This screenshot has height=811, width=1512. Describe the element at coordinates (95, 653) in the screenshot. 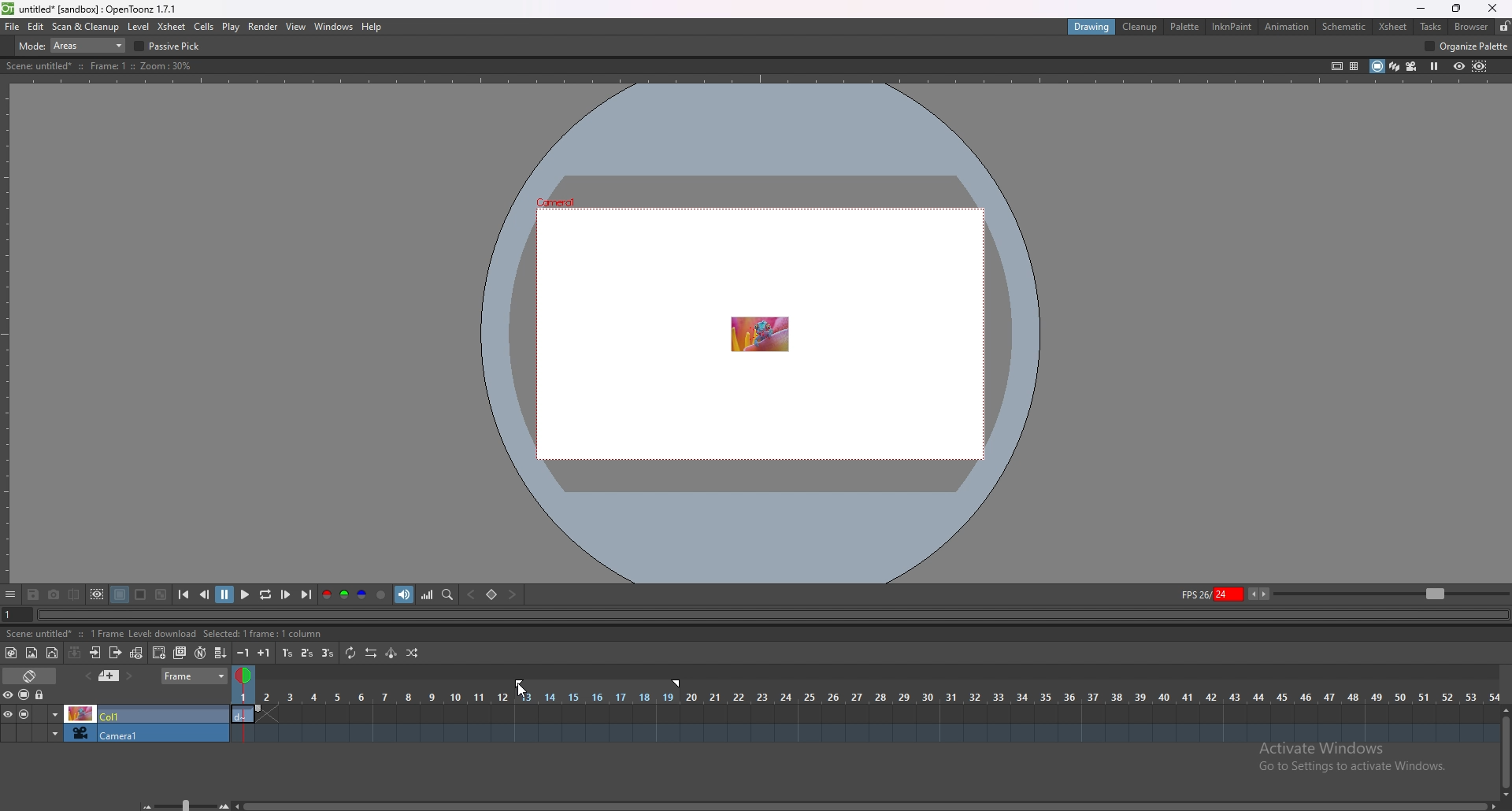

I see `open subsheet` at that location.